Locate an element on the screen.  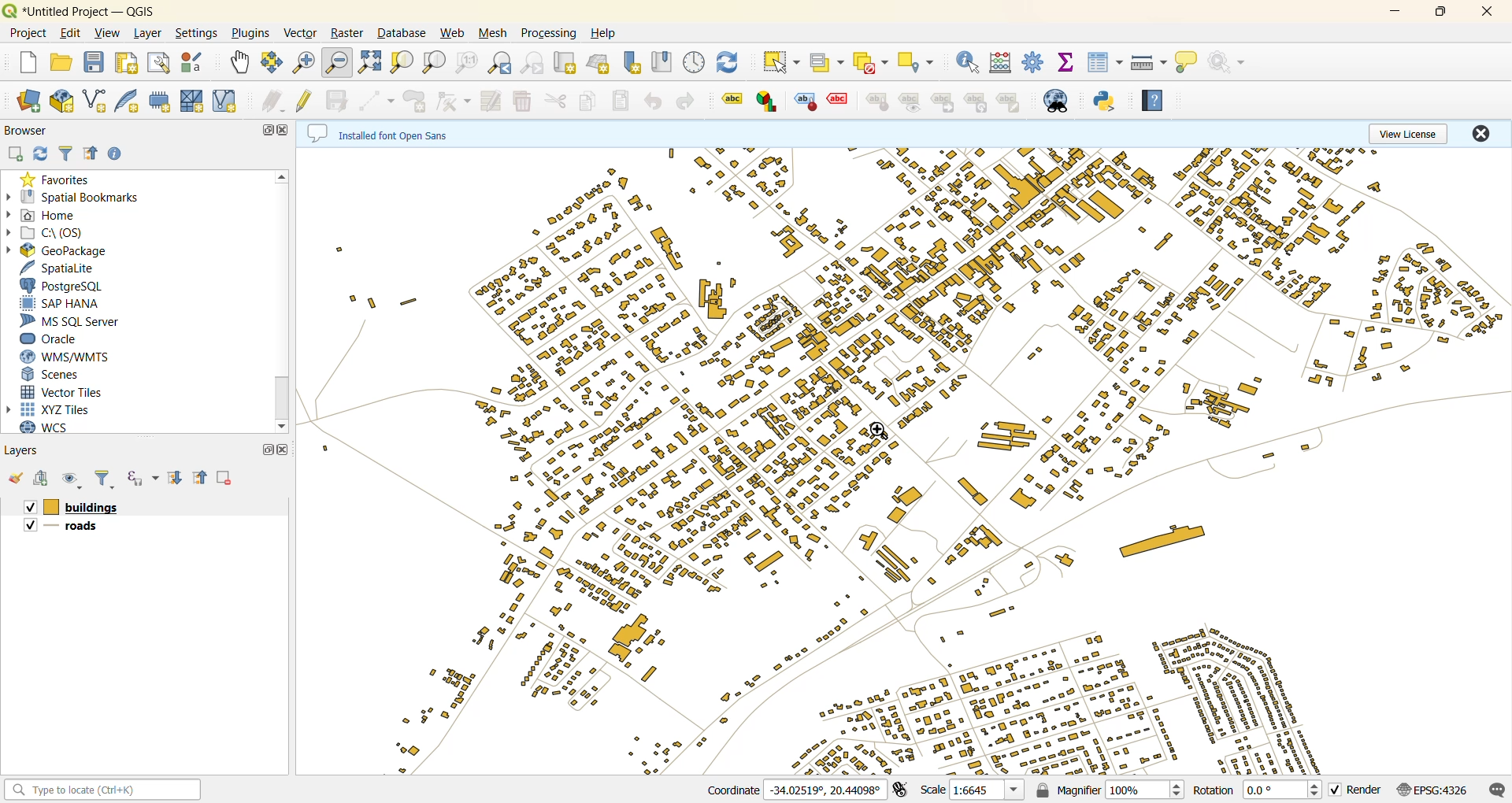
toolbox is located at coordinates (1034, 61).